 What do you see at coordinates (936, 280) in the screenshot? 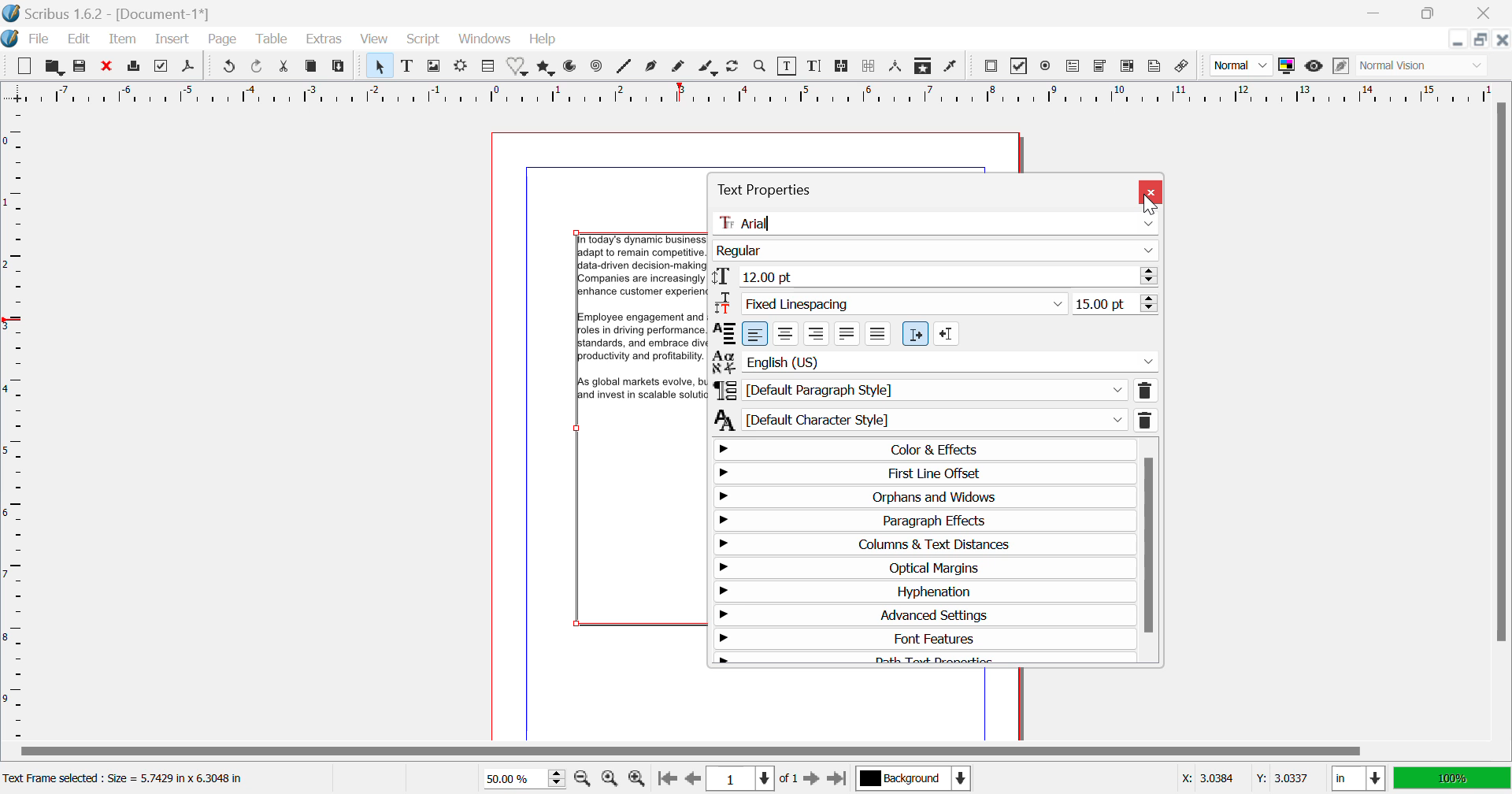
I see `Font Size` at bounding box center [936, 280].